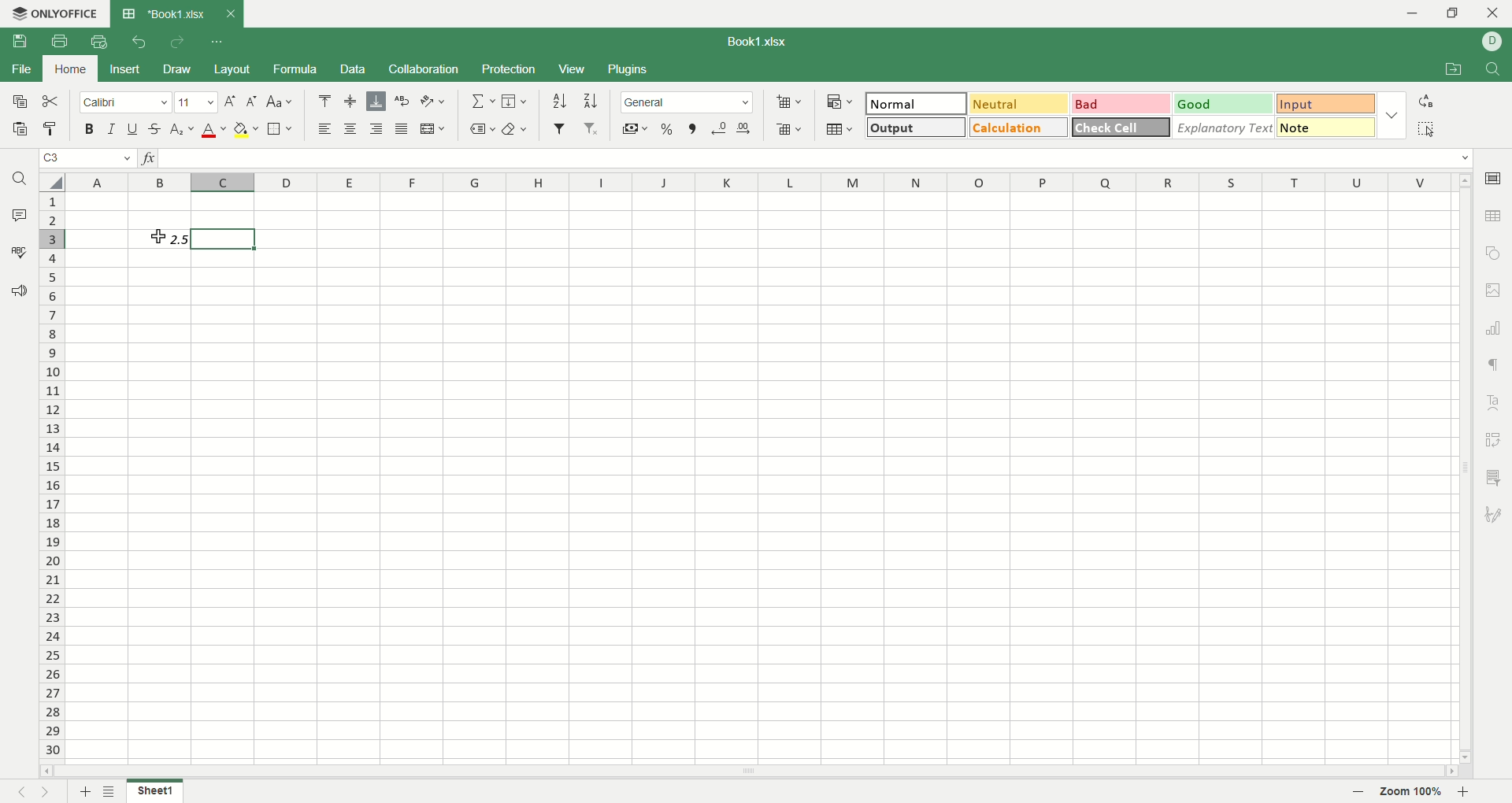 This screenshot has height=803, width=1512. Describe the element at coordinates (325, 101) in the screenshot. I see `align top` at that location.